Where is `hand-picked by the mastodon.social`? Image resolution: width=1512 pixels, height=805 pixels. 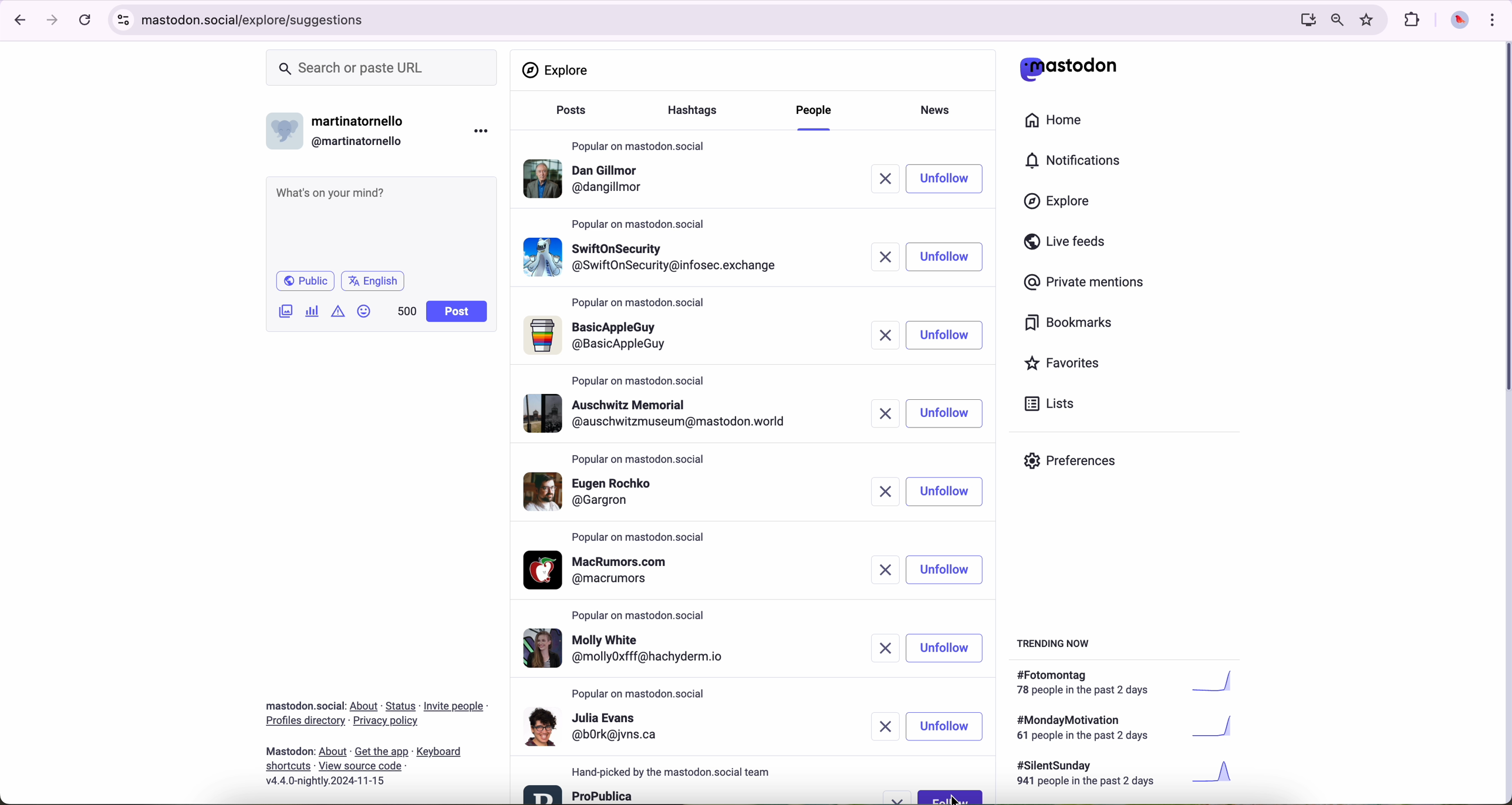 hand-picked by the mastodon.social is located at coordinates (679, 772).